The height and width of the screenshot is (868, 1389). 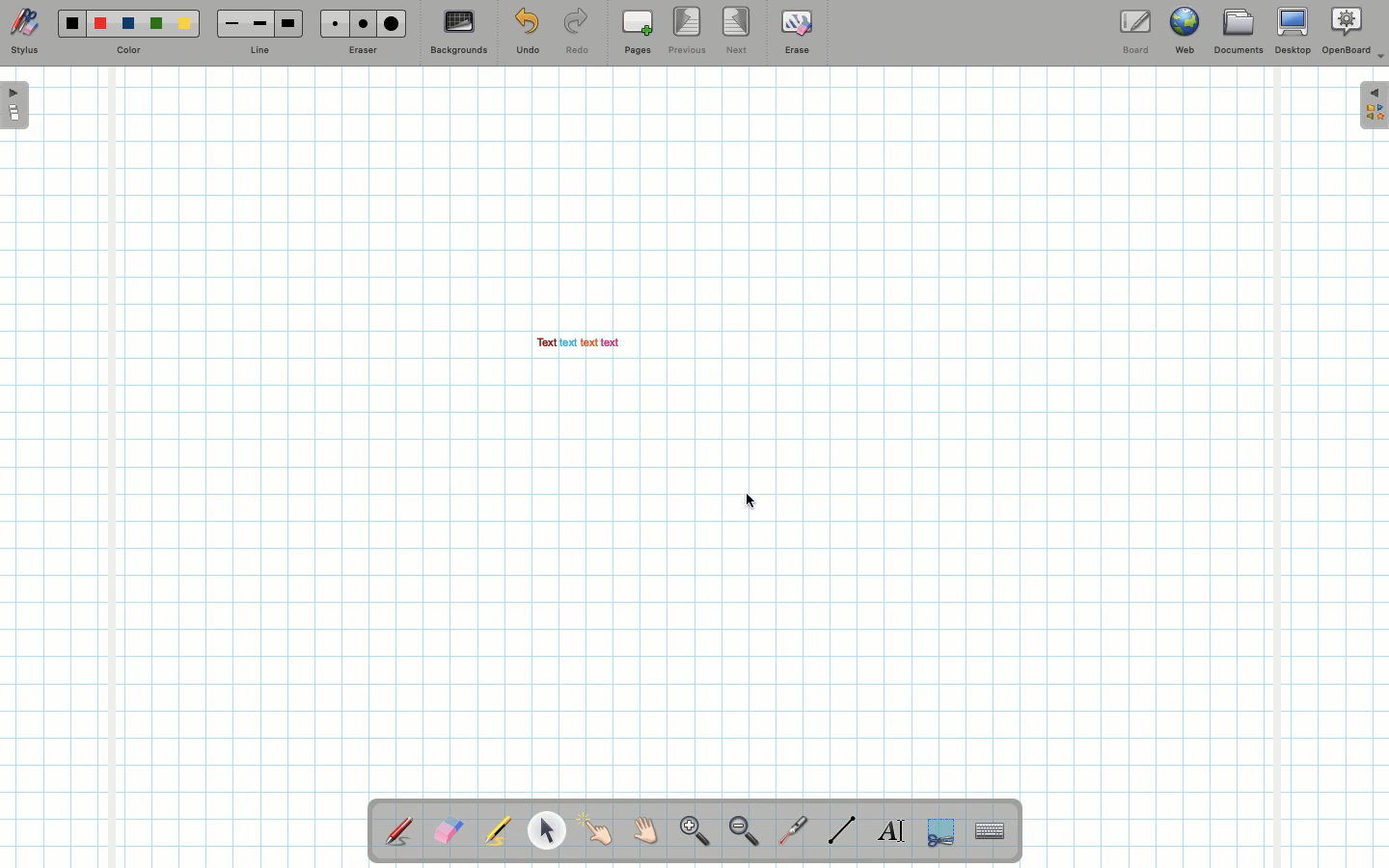 I want to click on Blue, so click(x=129, y=24).